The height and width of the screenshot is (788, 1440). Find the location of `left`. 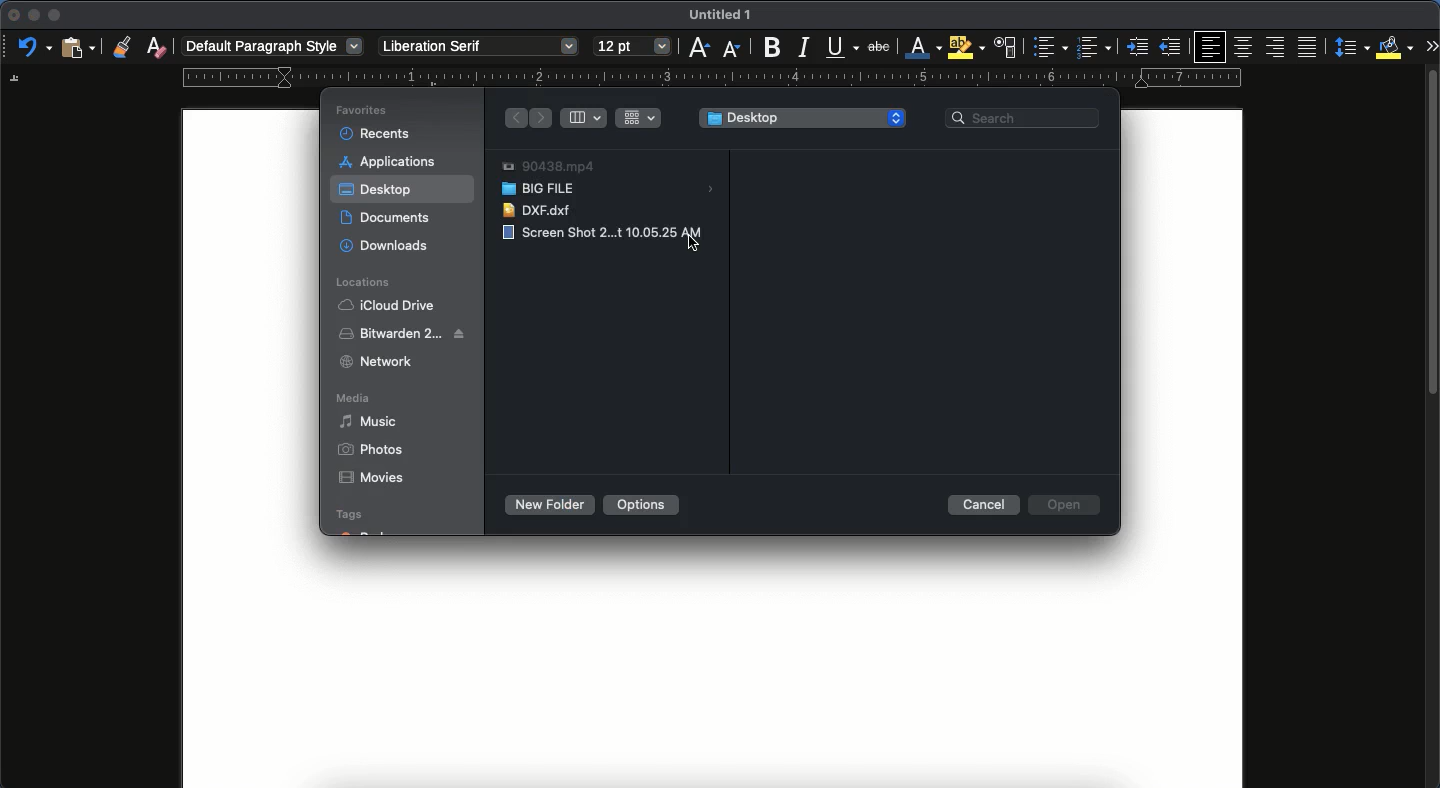

left is located at coordinates (542, 119).